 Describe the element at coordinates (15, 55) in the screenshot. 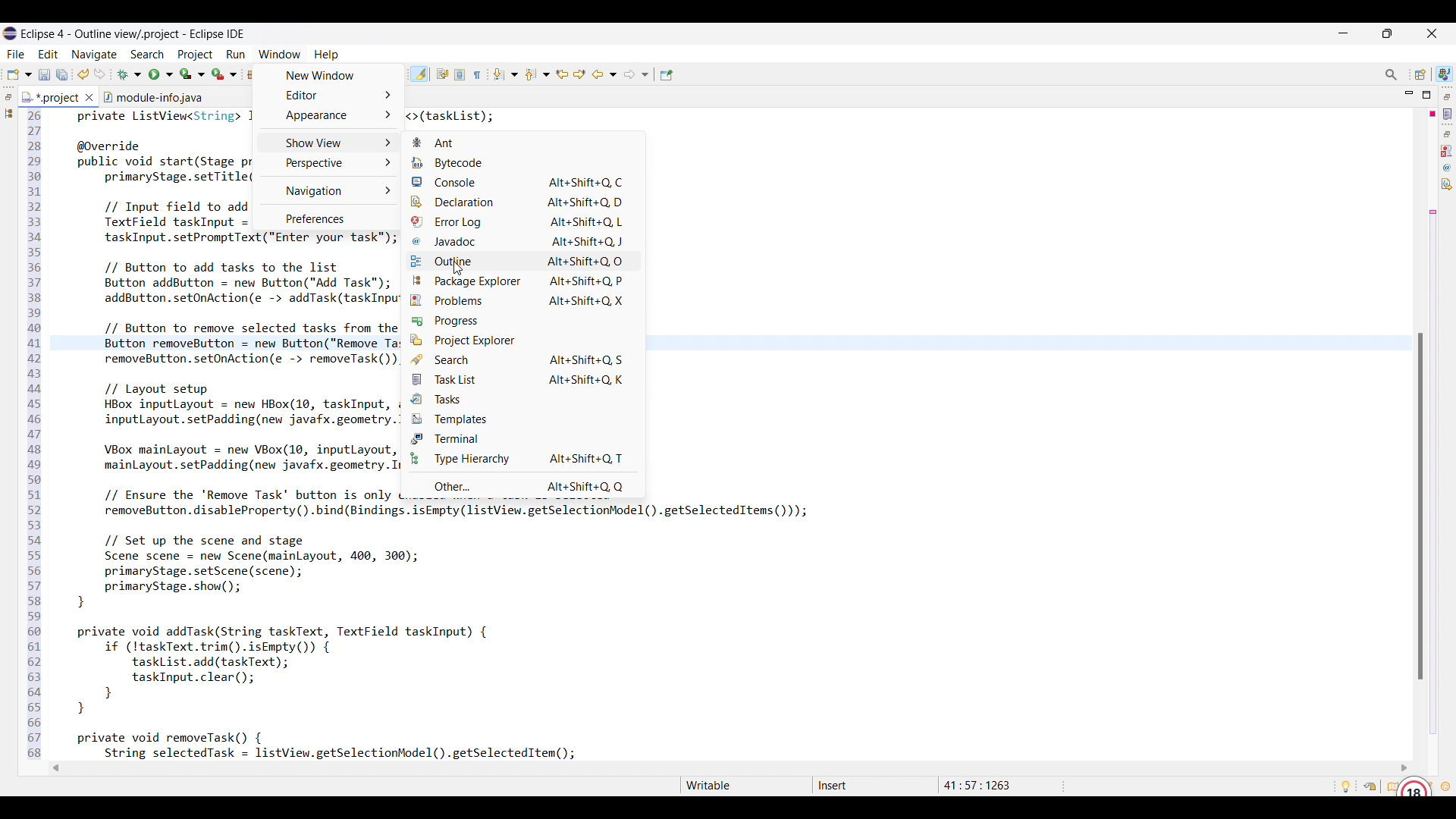

I see `File menu` at that location.